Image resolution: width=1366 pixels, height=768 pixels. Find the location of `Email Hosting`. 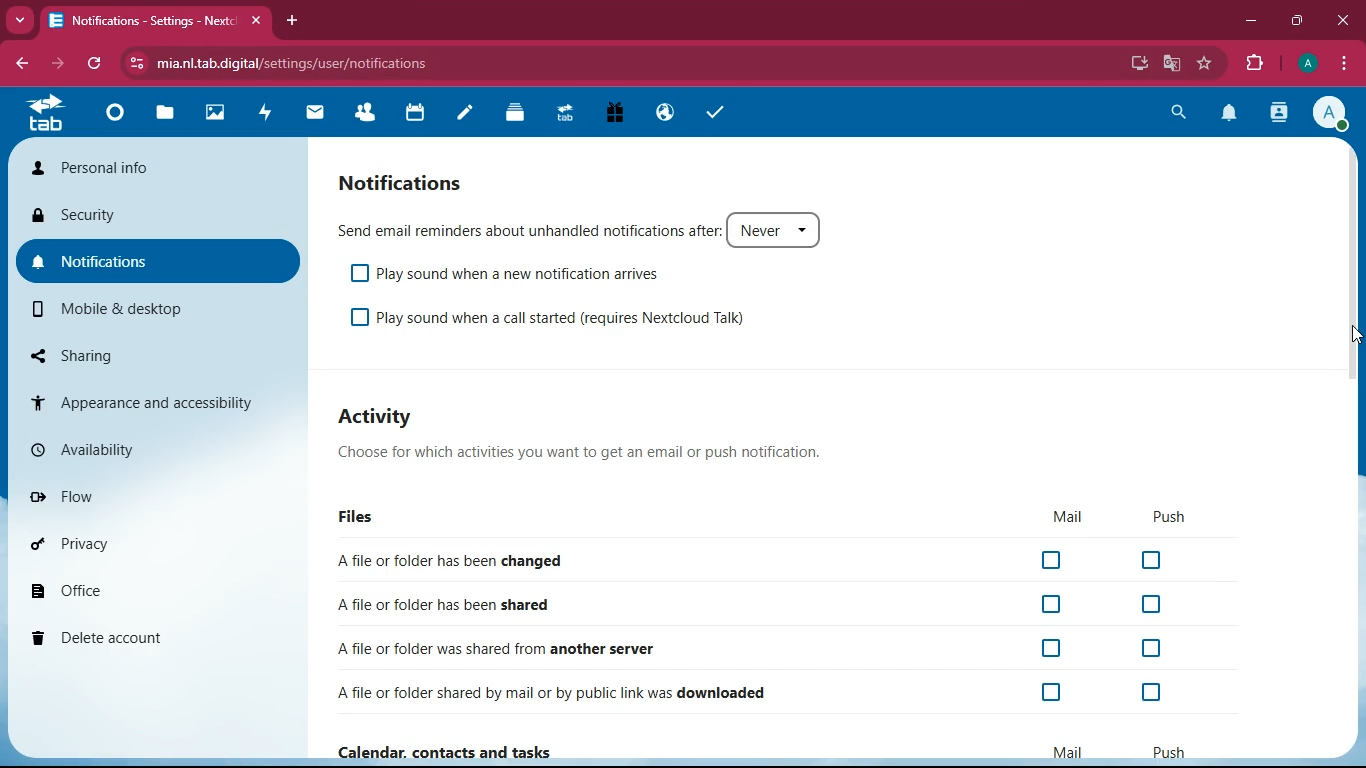

Email Hosting is located at coordinates (666, 115).